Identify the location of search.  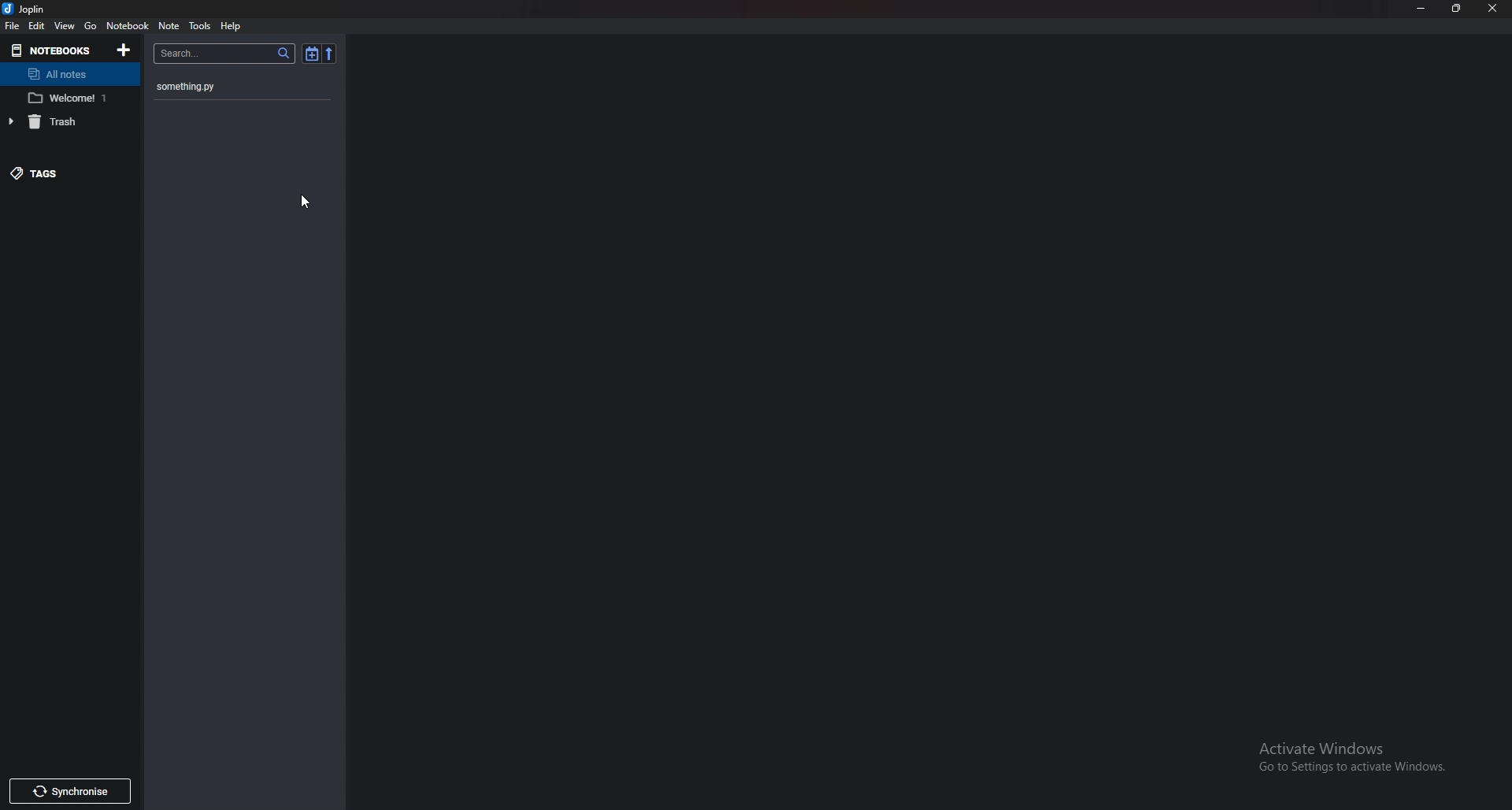
(224, 54).